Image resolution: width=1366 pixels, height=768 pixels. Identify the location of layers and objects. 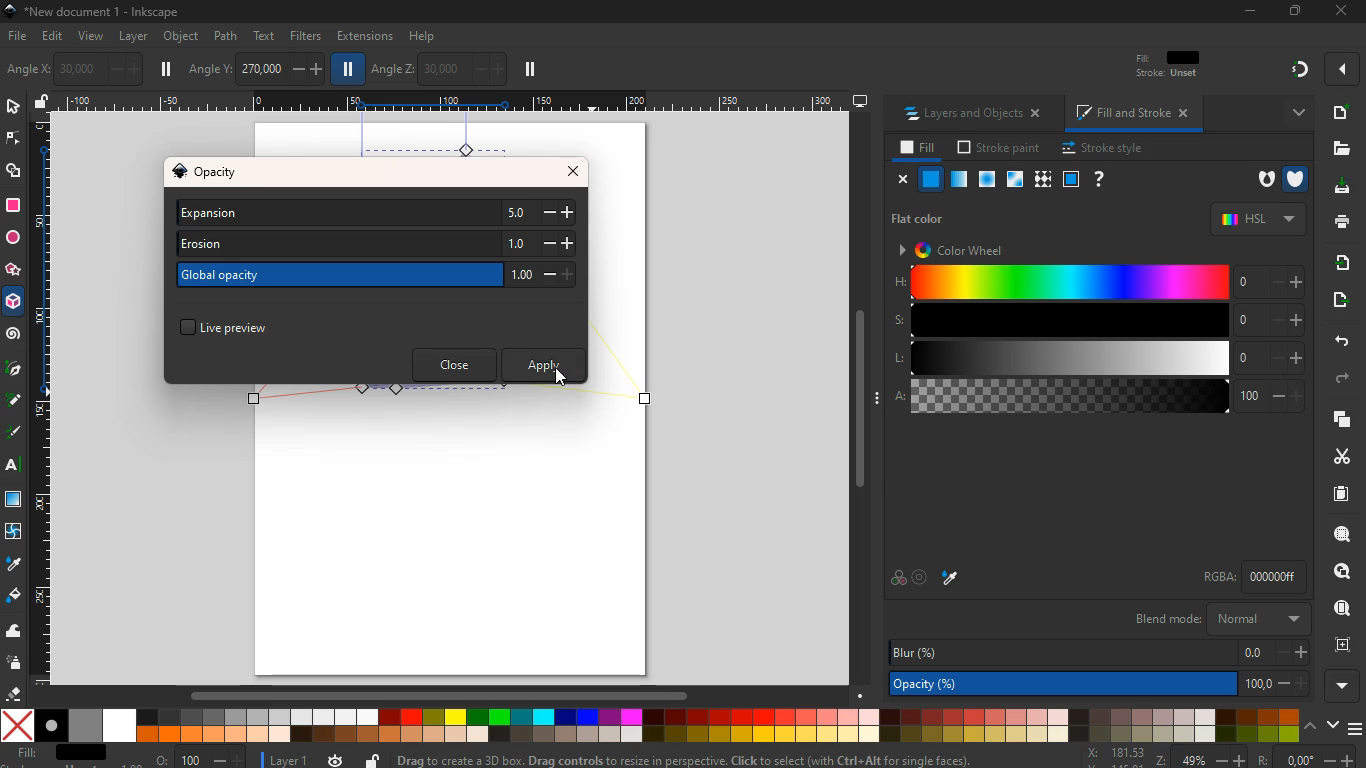
(978, 115).